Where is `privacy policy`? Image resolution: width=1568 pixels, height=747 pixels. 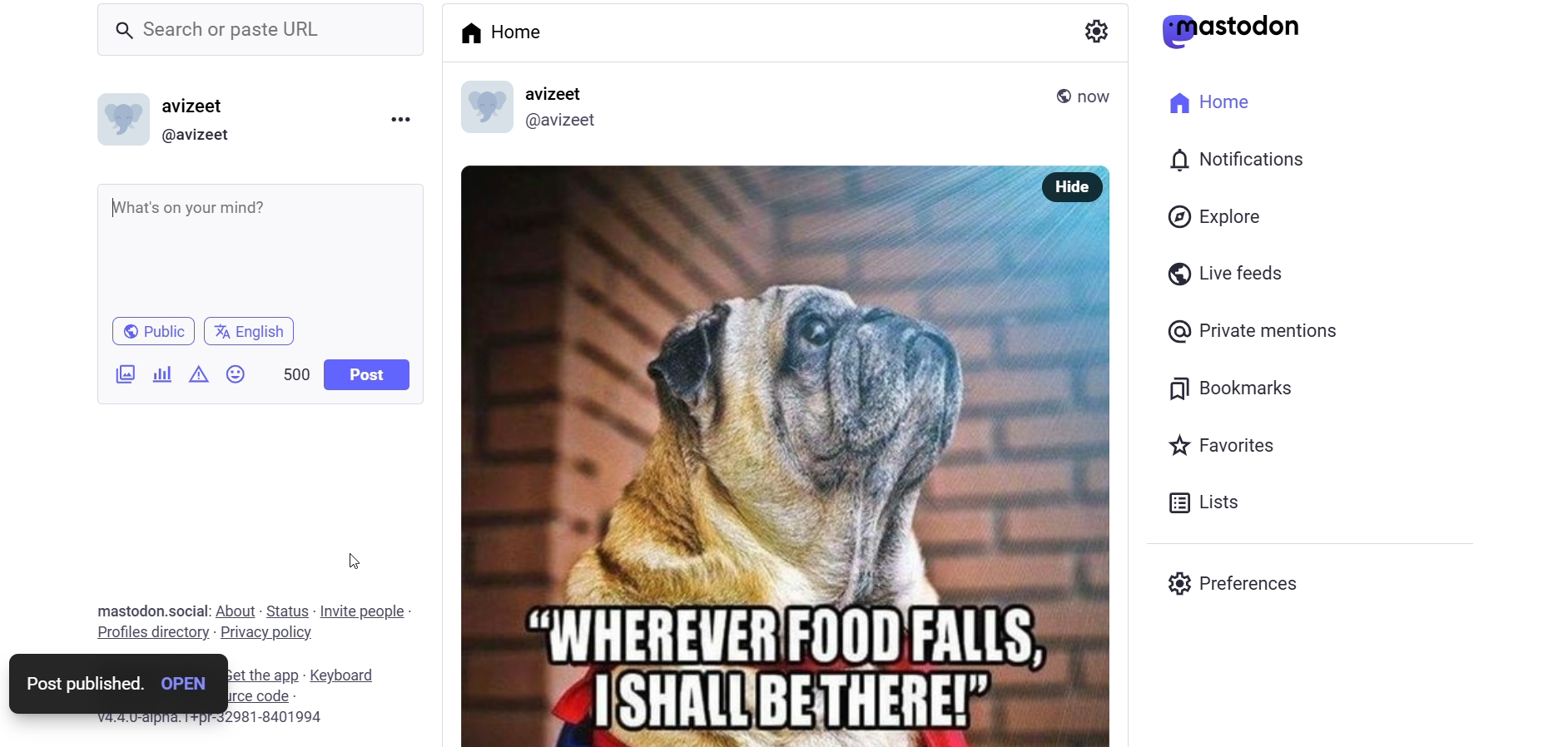 privacy policy is located at coordinates (266, 635).